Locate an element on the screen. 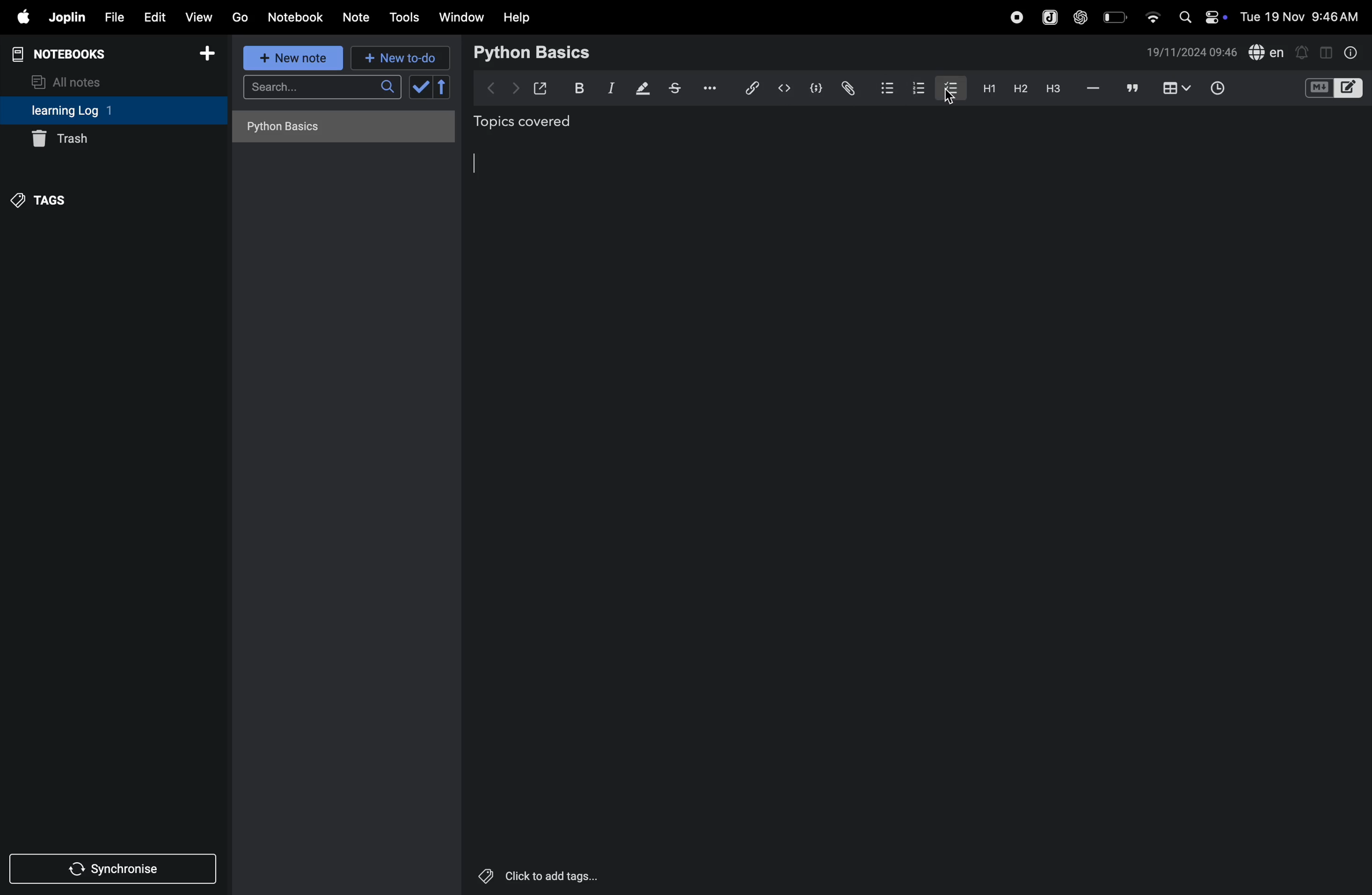 Image resolution: width=1372 pixels, height=895 pixels. attach file is located at coordinates (847, 88).